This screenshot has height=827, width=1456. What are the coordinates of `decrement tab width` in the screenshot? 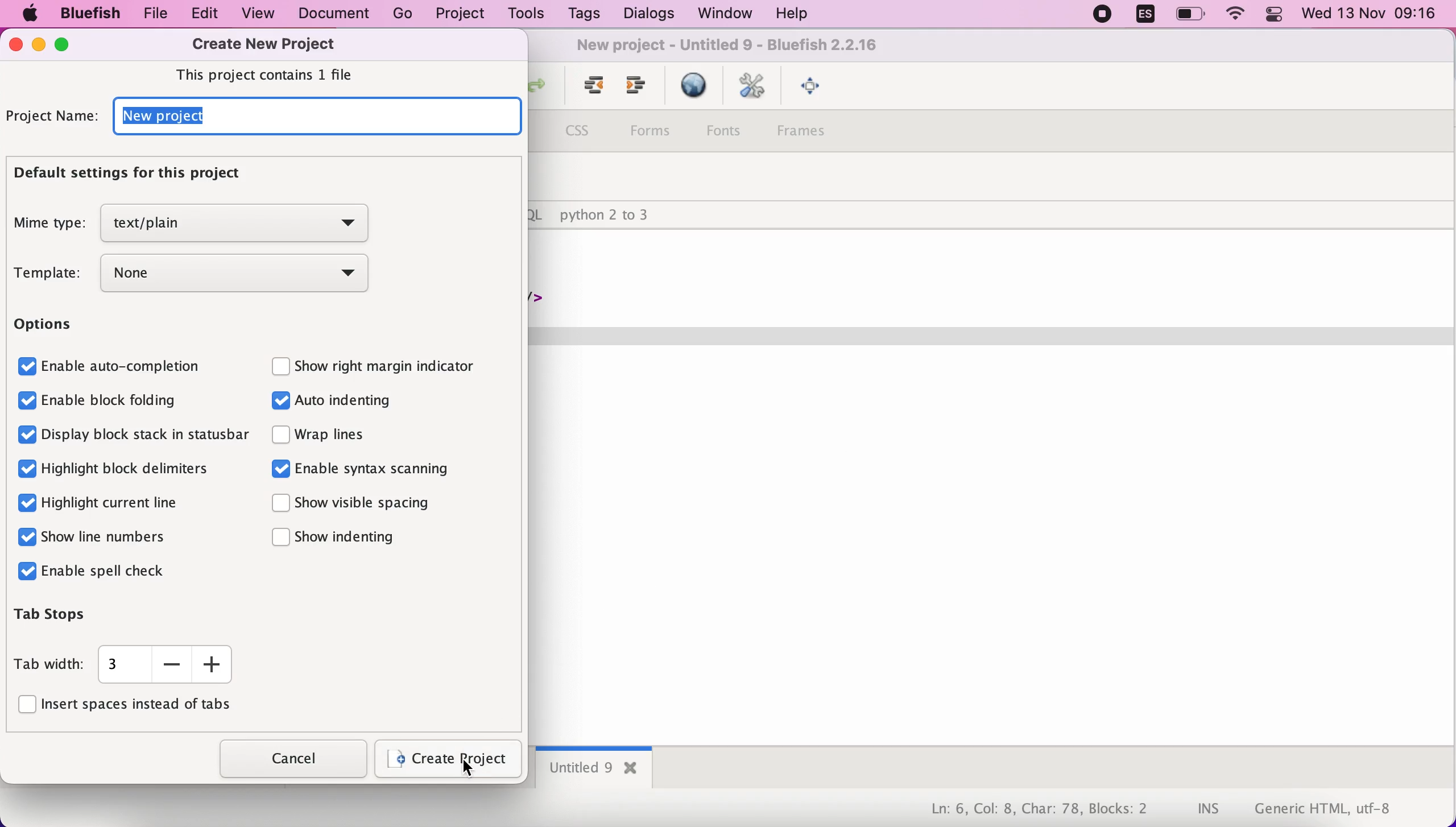 It's located at (172, 665).